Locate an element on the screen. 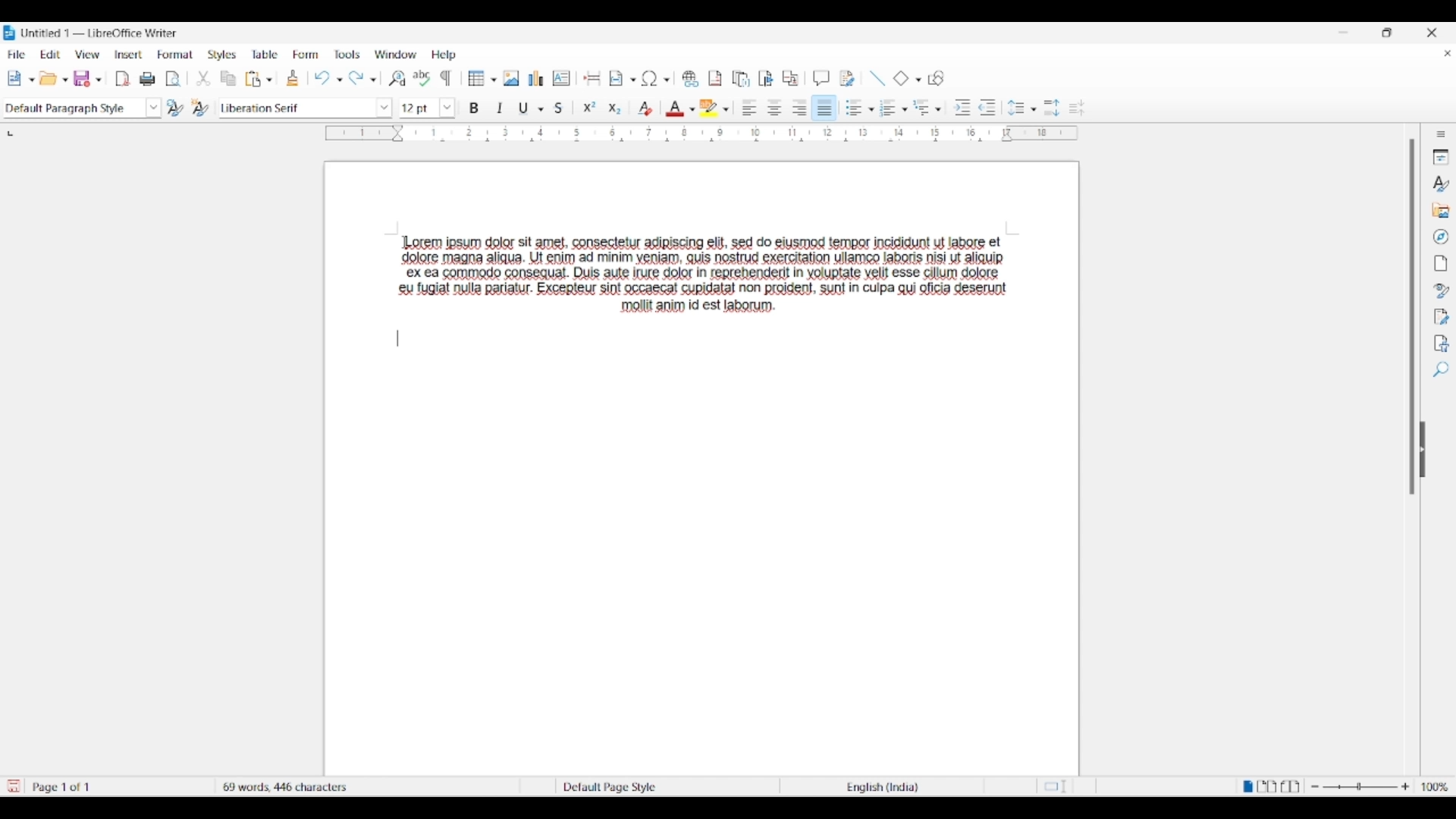  Print is located at coordinates (148, 79).